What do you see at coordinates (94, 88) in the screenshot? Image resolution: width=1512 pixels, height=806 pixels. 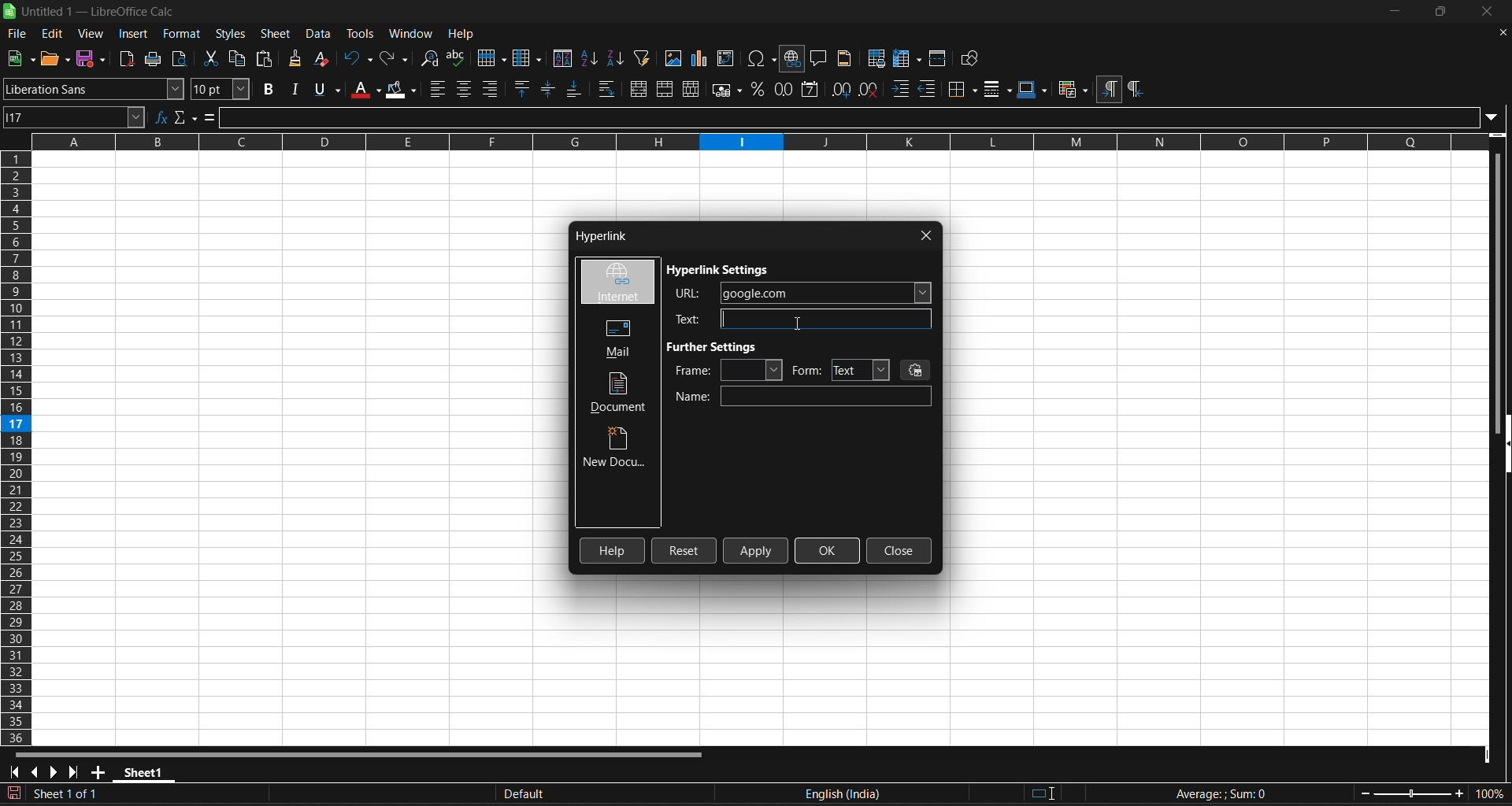 I see `font name` at bounding box center [94, 88].